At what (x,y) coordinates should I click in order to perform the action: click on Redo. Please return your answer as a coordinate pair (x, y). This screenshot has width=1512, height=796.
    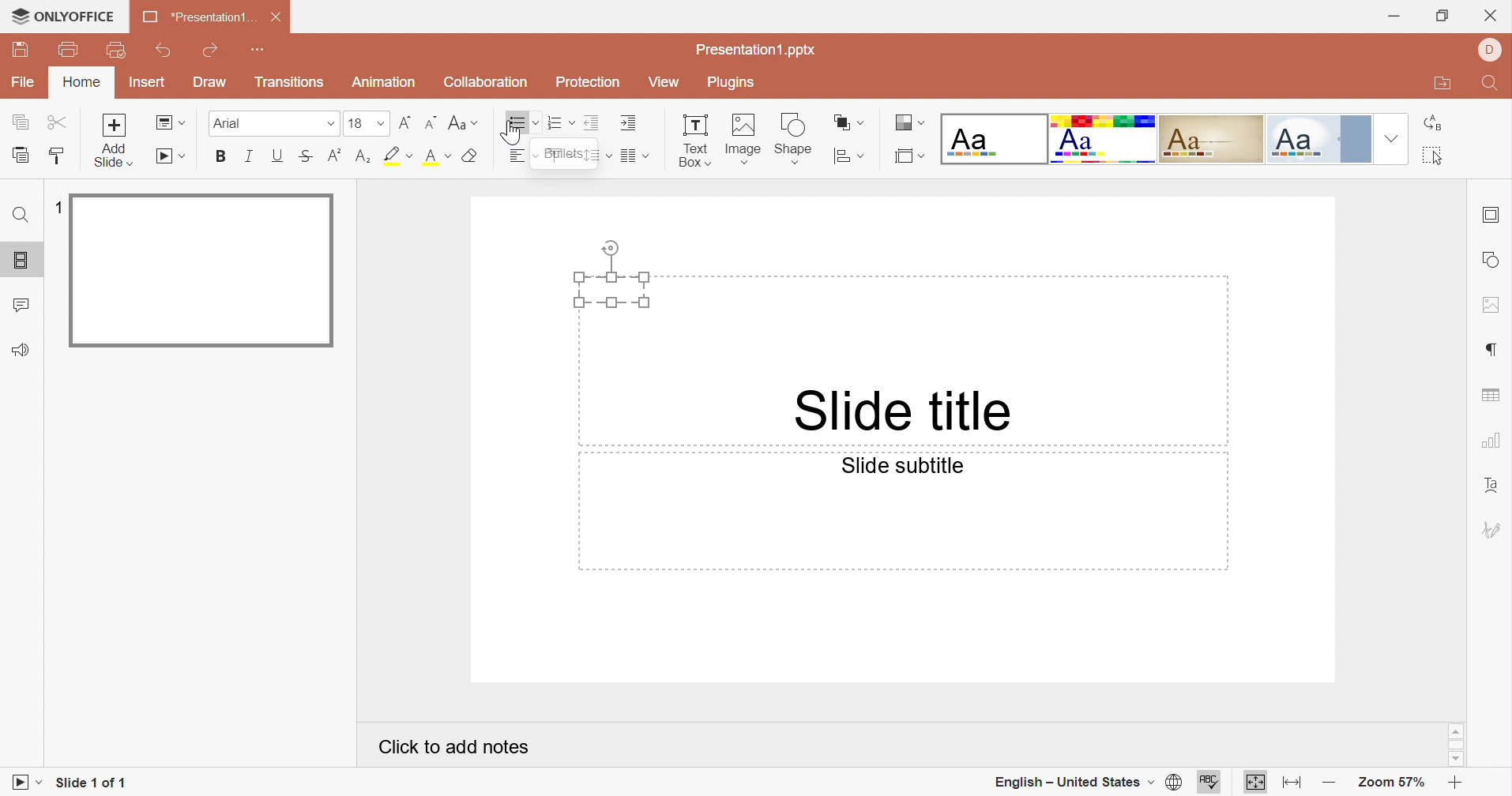
    Looking at the image, I should click on (210, 52).